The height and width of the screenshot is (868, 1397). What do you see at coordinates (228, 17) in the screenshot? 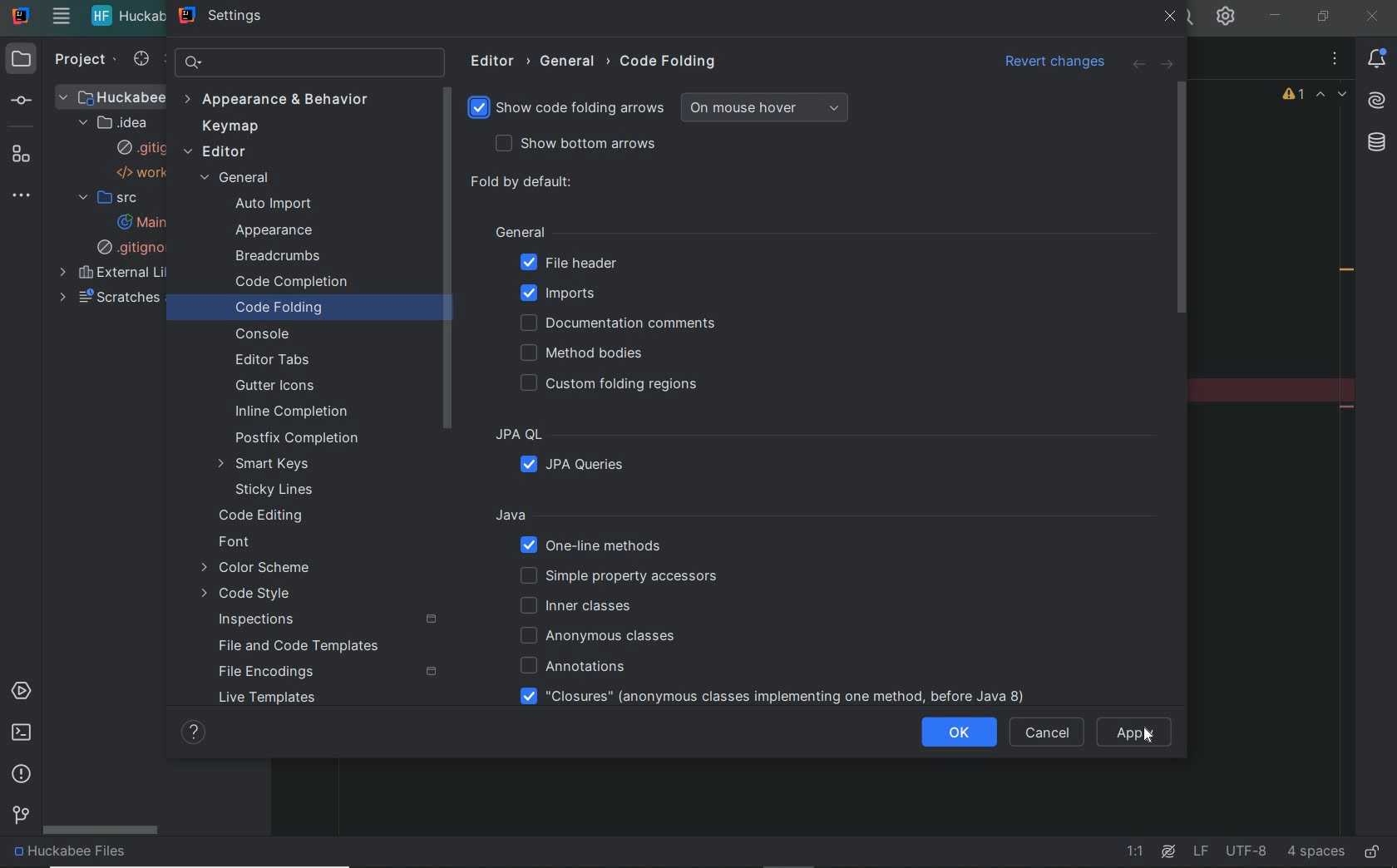
I see `settings` at bounding box center [228, 17].